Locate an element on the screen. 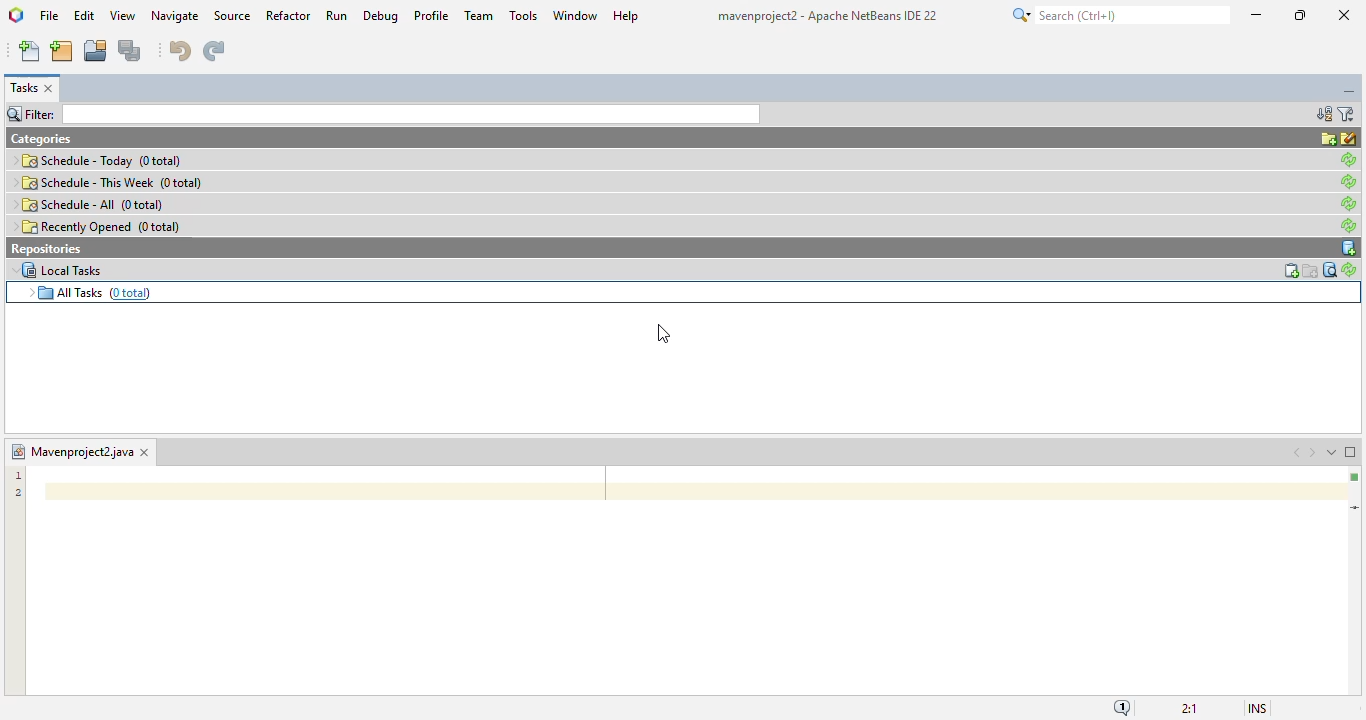 The height and width of the screenshot is (720, 1366). add repository is located at coordinates (1349, 248).